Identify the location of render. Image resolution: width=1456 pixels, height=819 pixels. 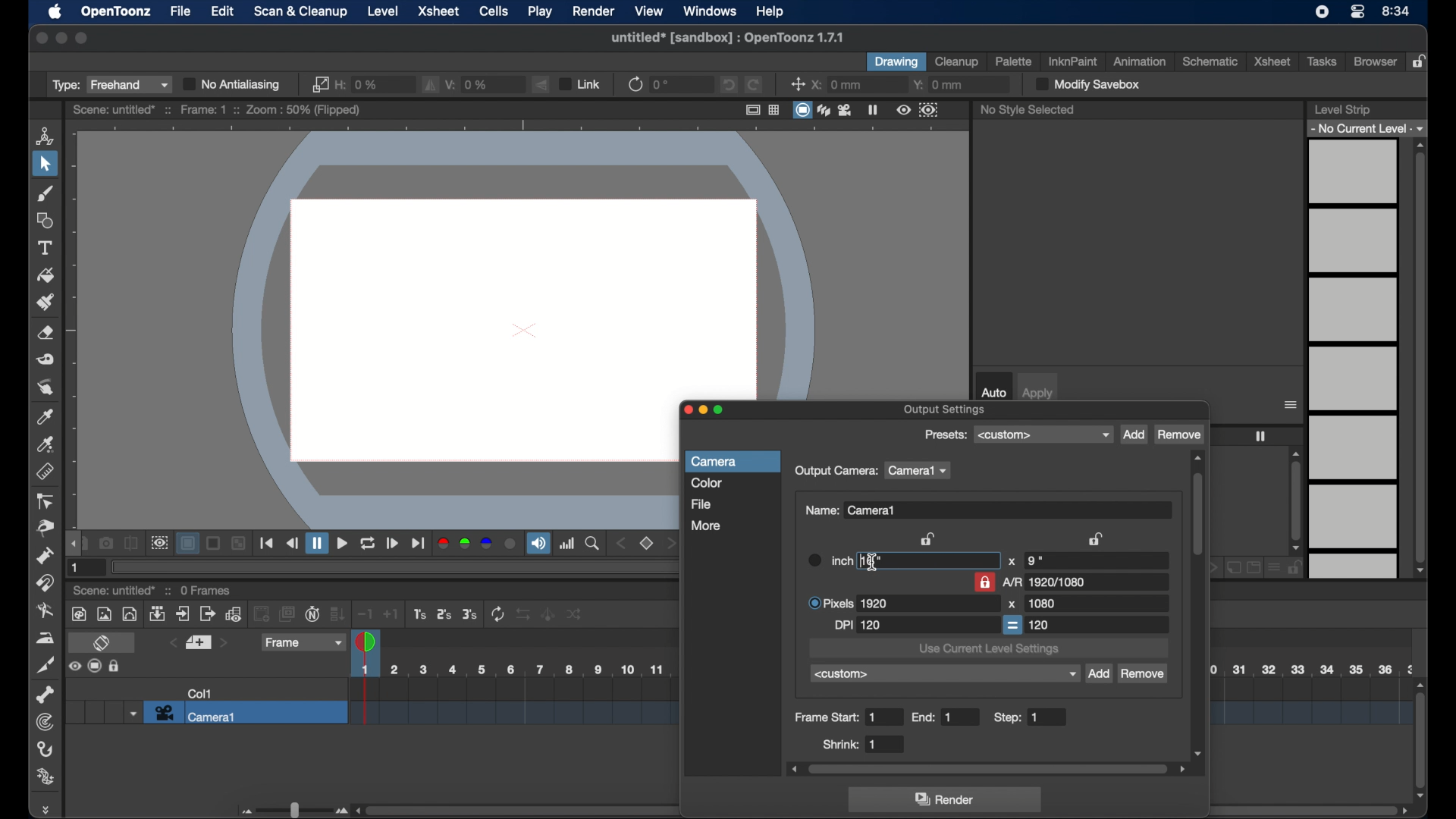
(947, 800).